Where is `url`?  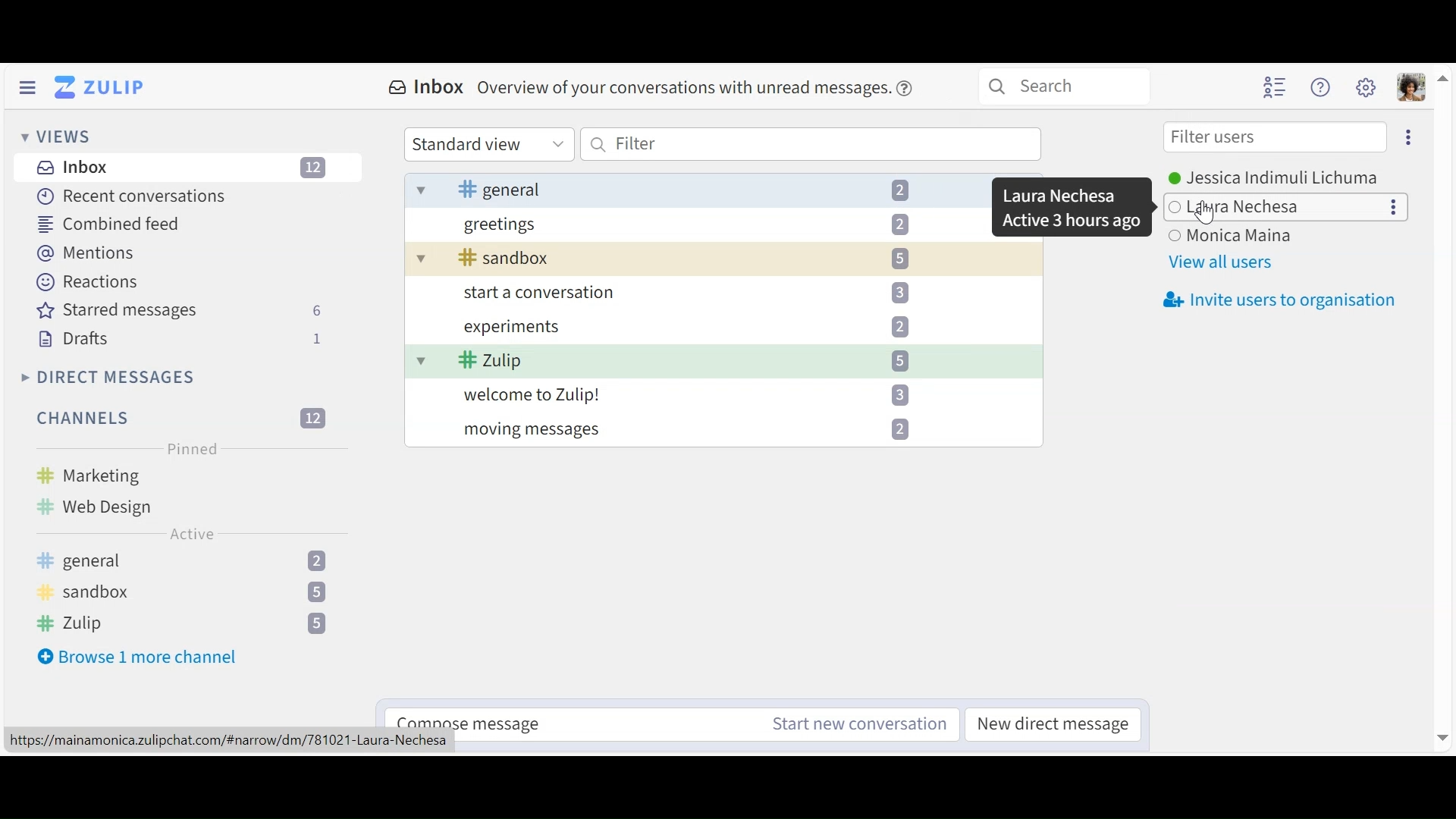 url is located at coordinates (230, 742).